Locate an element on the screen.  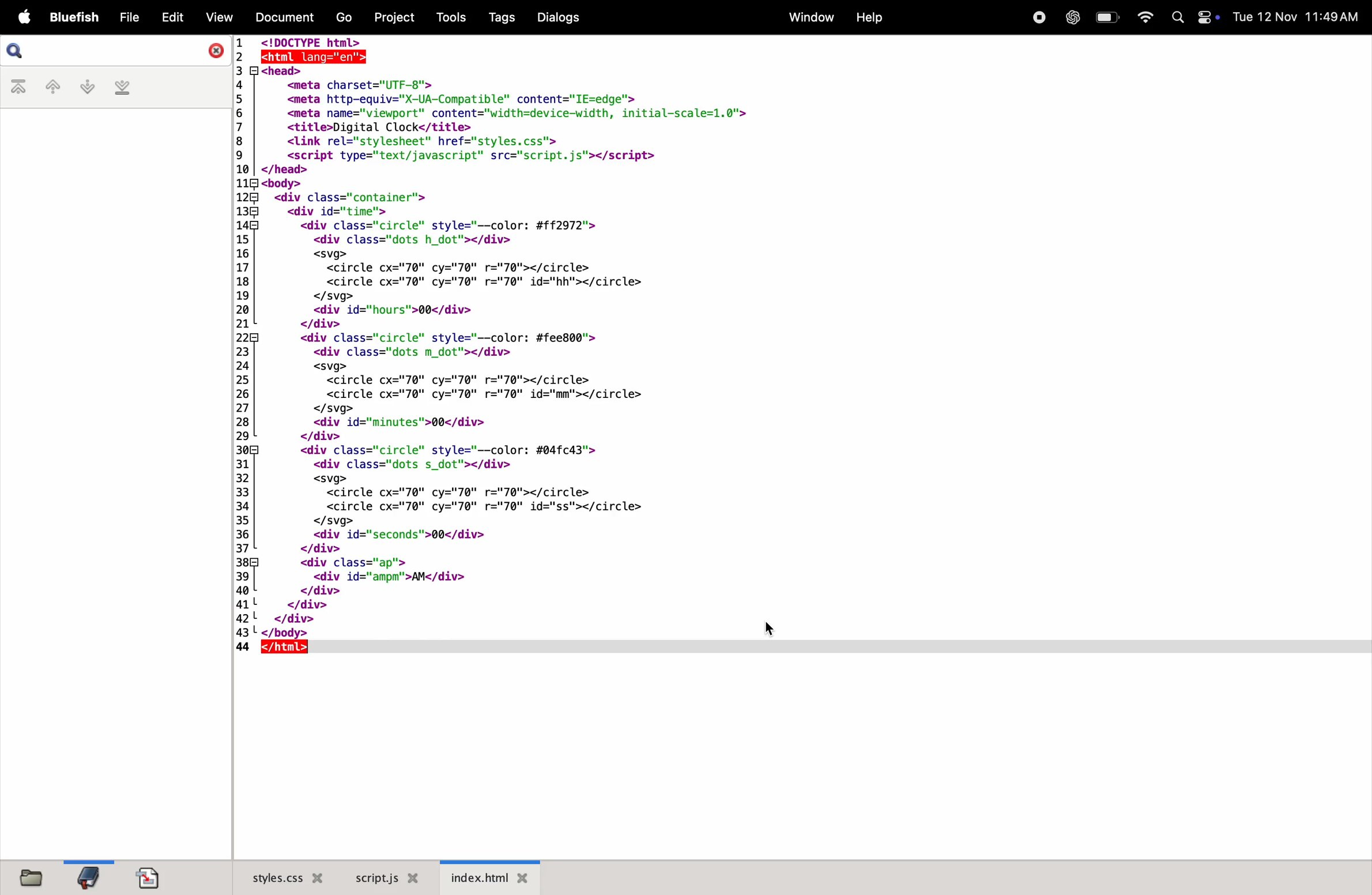
window is located at coordinates (811, 16).